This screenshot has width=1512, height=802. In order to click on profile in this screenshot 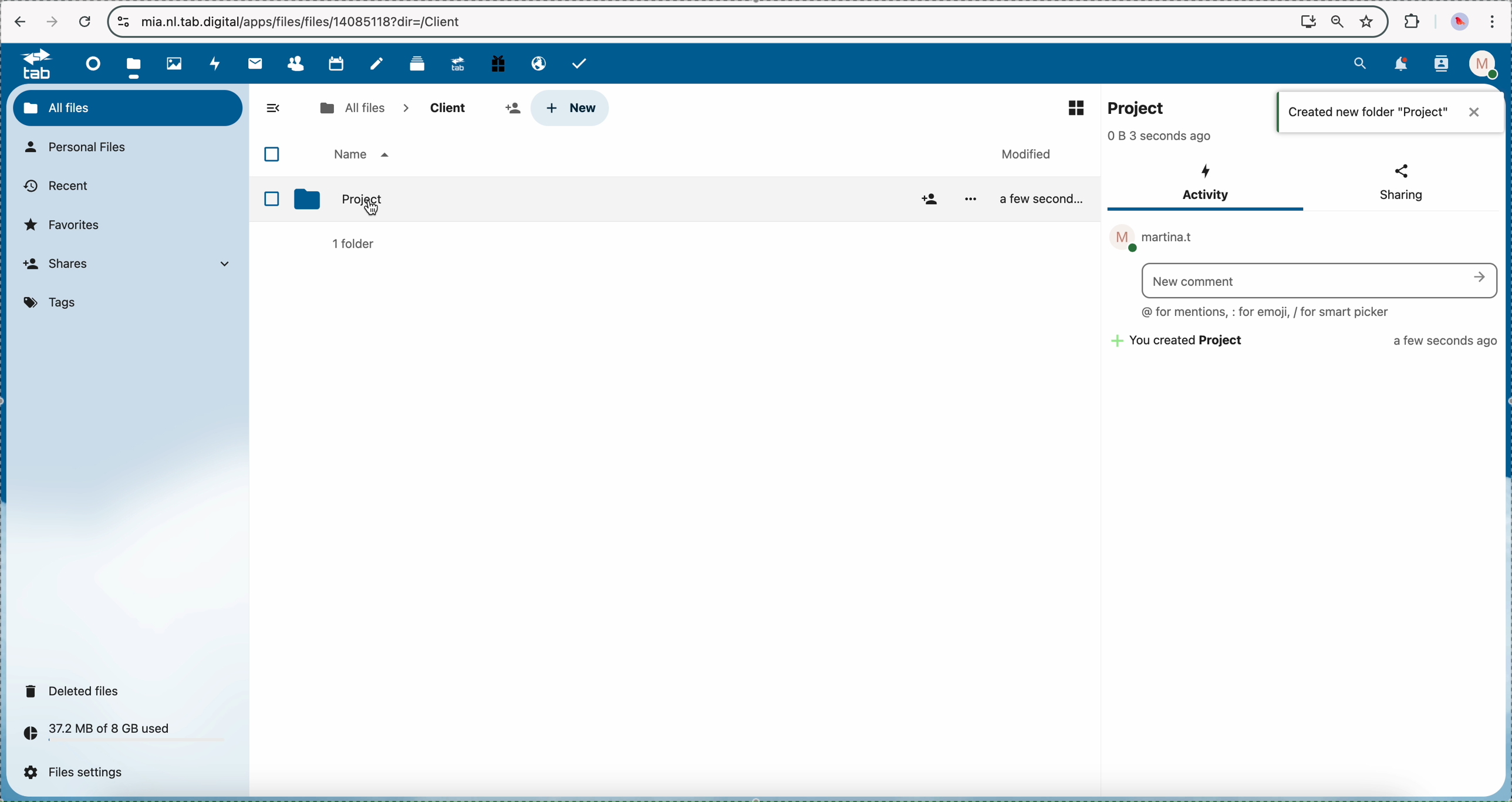, I will do `click(1487, 65)`.